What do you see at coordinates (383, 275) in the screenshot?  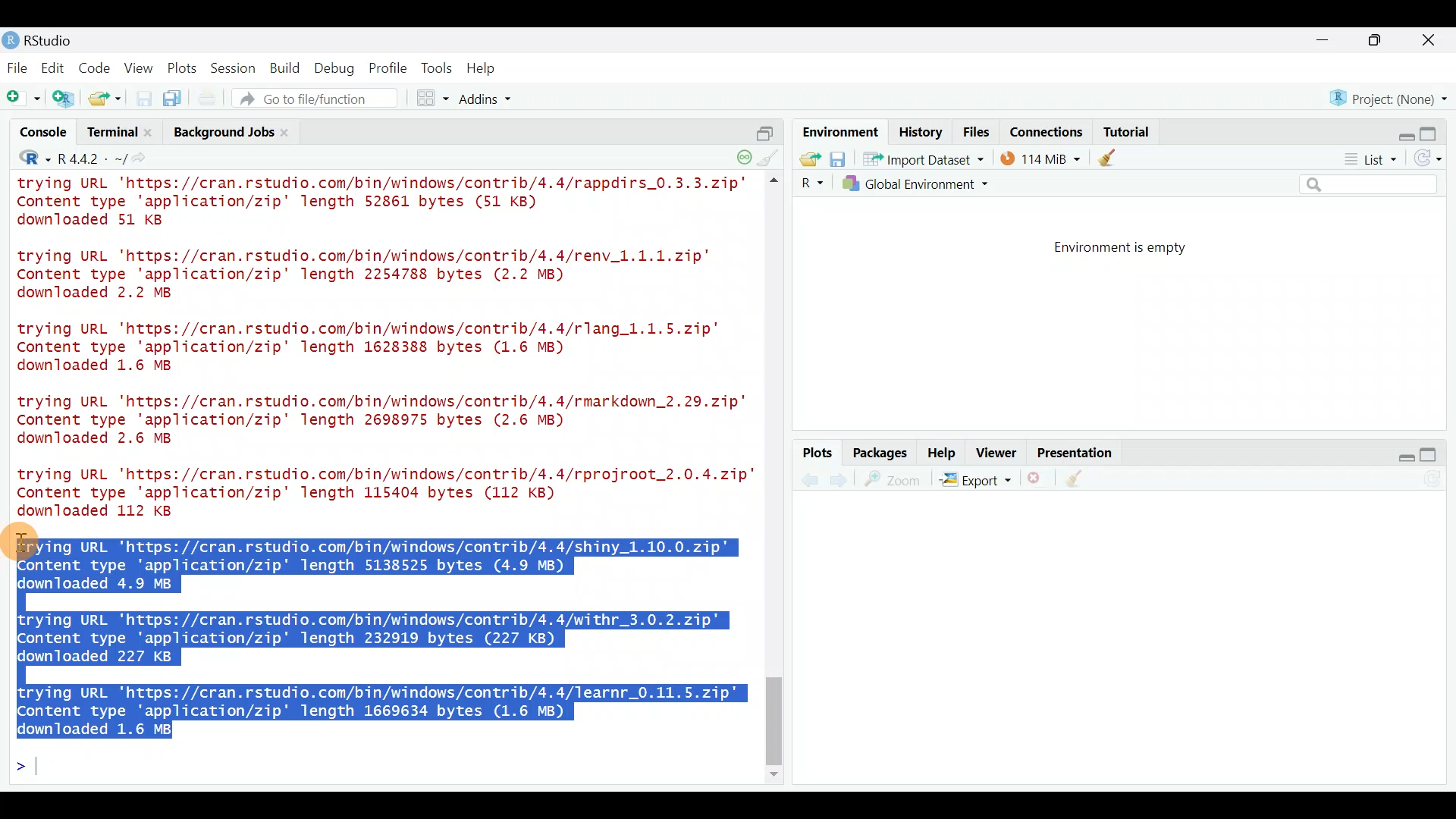 I see `trying URL 'https://cran.rstudio.com/bin/windows/contrib/4.4/renv_1.1.1.zip"
Content type 'application/zip' length 2254788 bytes (2.2 MB)
downloaded 2.2 MB` at bounding box center [383, 275].